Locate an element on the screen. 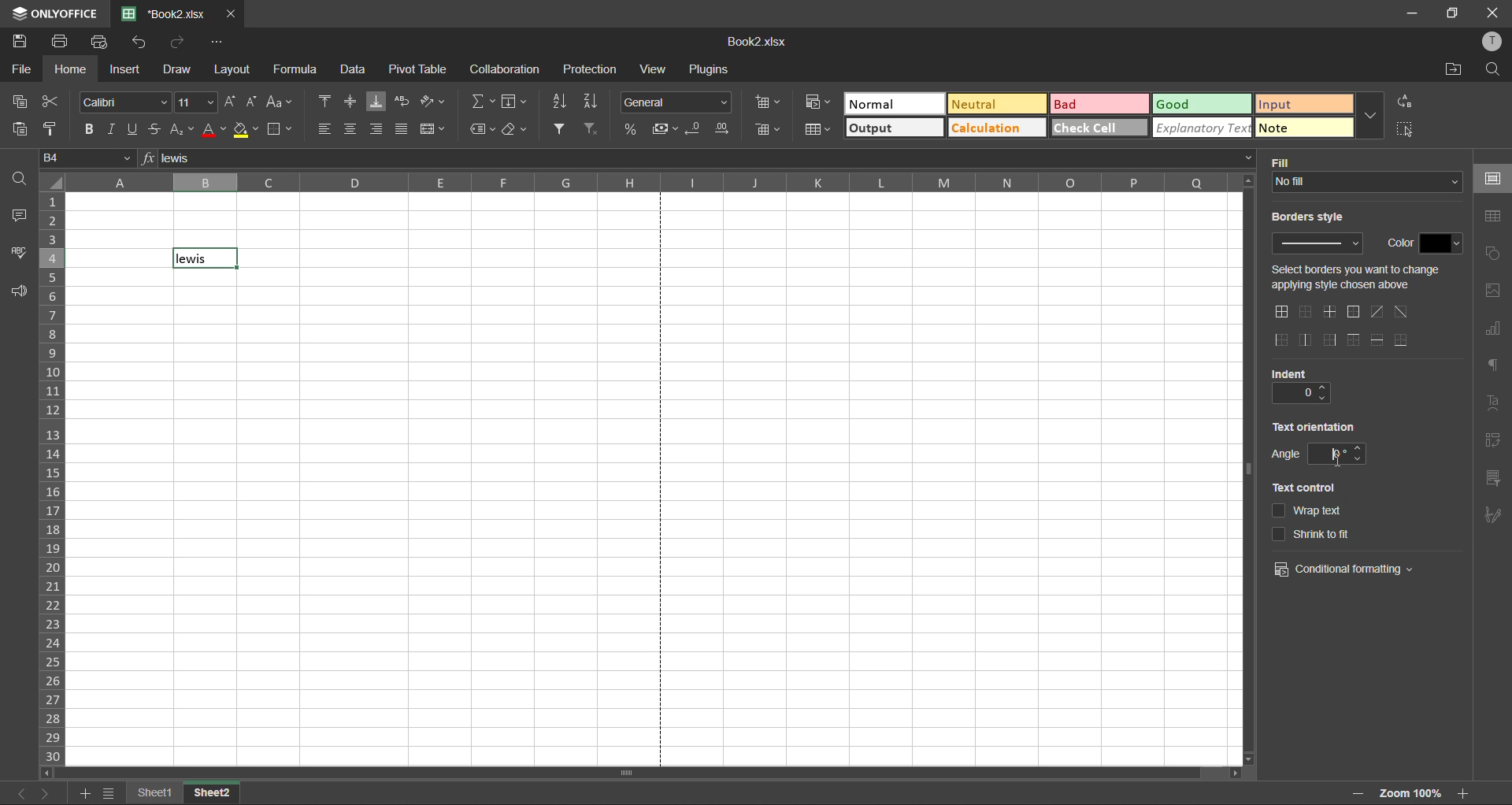 This screenshot has width=1512, height=805. filename is located at coordinates (164, 14).